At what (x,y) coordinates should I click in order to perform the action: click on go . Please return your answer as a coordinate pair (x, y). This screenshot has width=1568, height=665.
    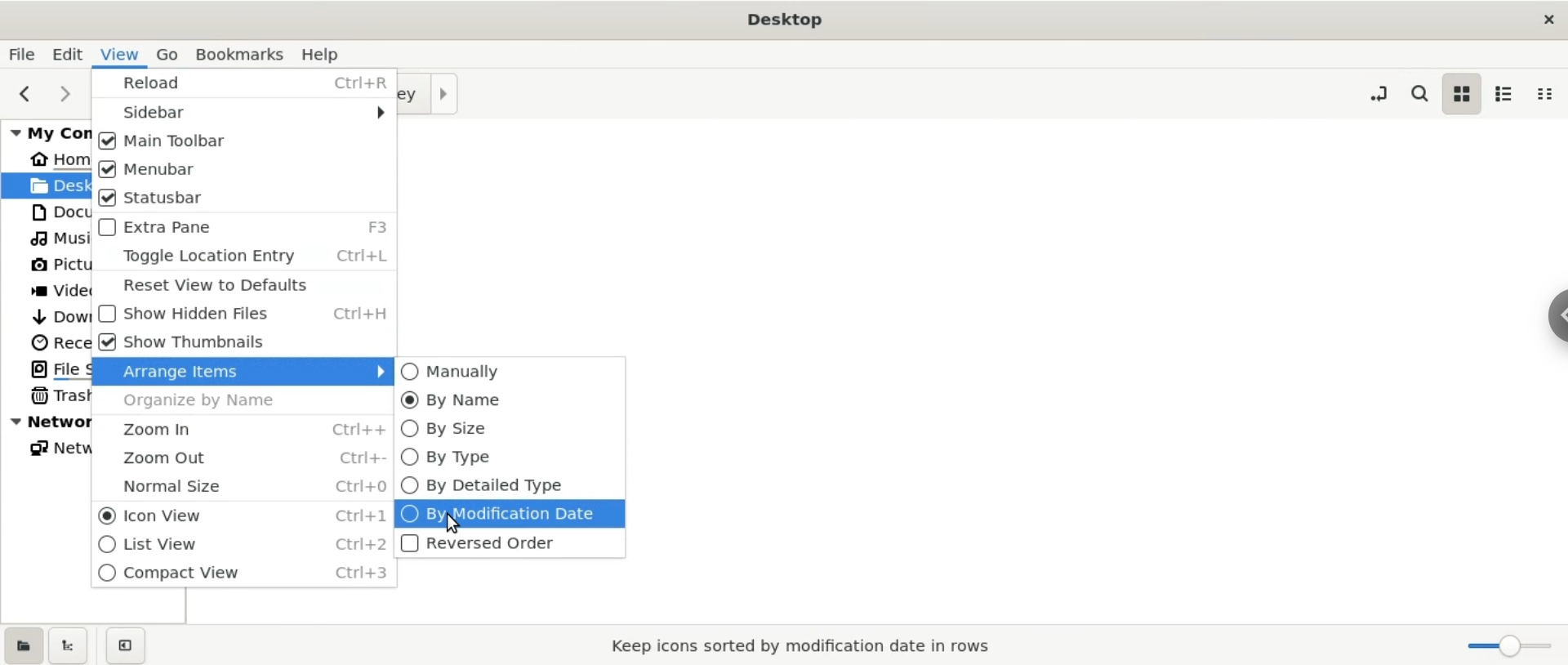
    Looking at the image, I should click on (172, 54).